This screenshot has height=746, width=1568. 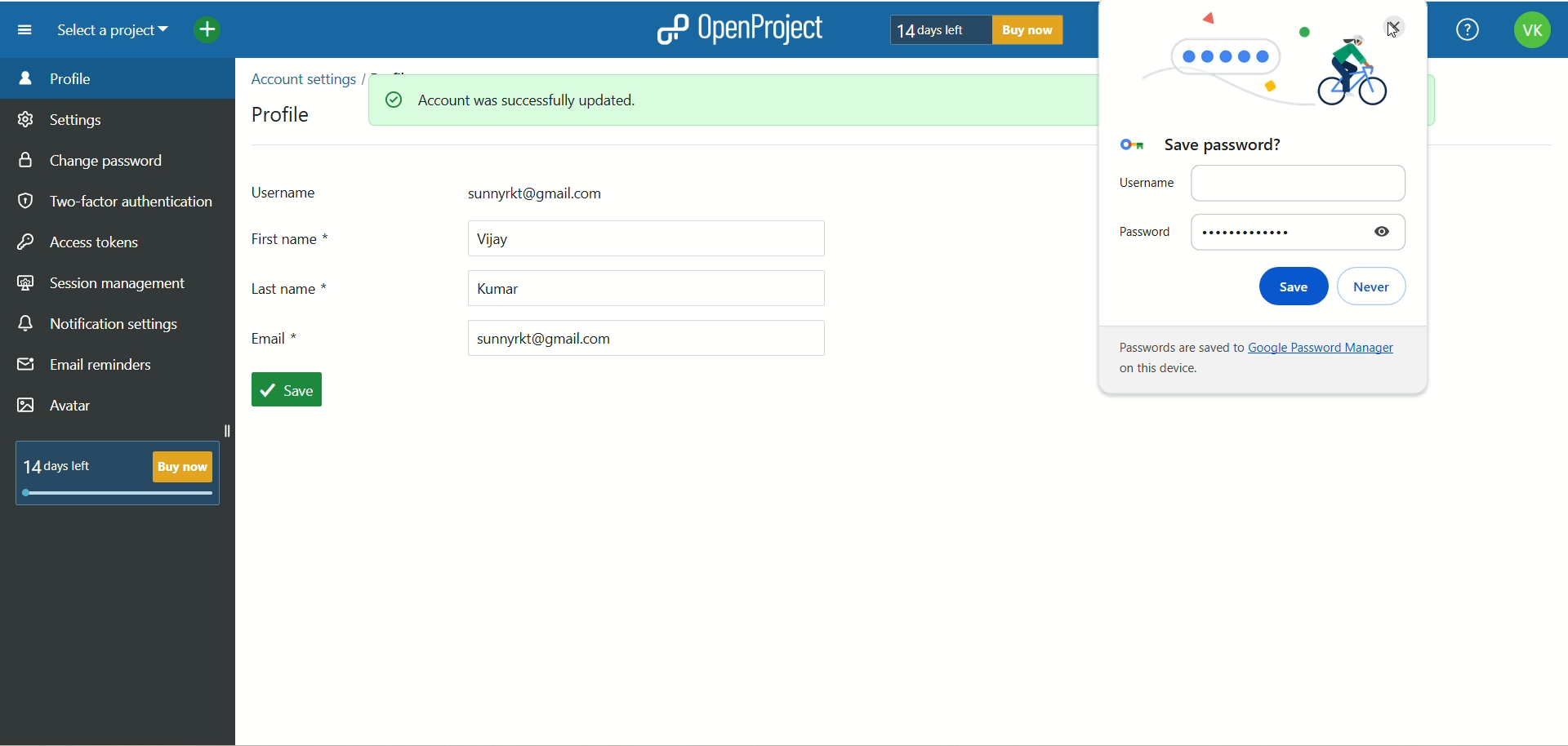 What do you see at coordinates (25, 30) in the screenshot?
I see `menu` at bounding box center [25, 30].